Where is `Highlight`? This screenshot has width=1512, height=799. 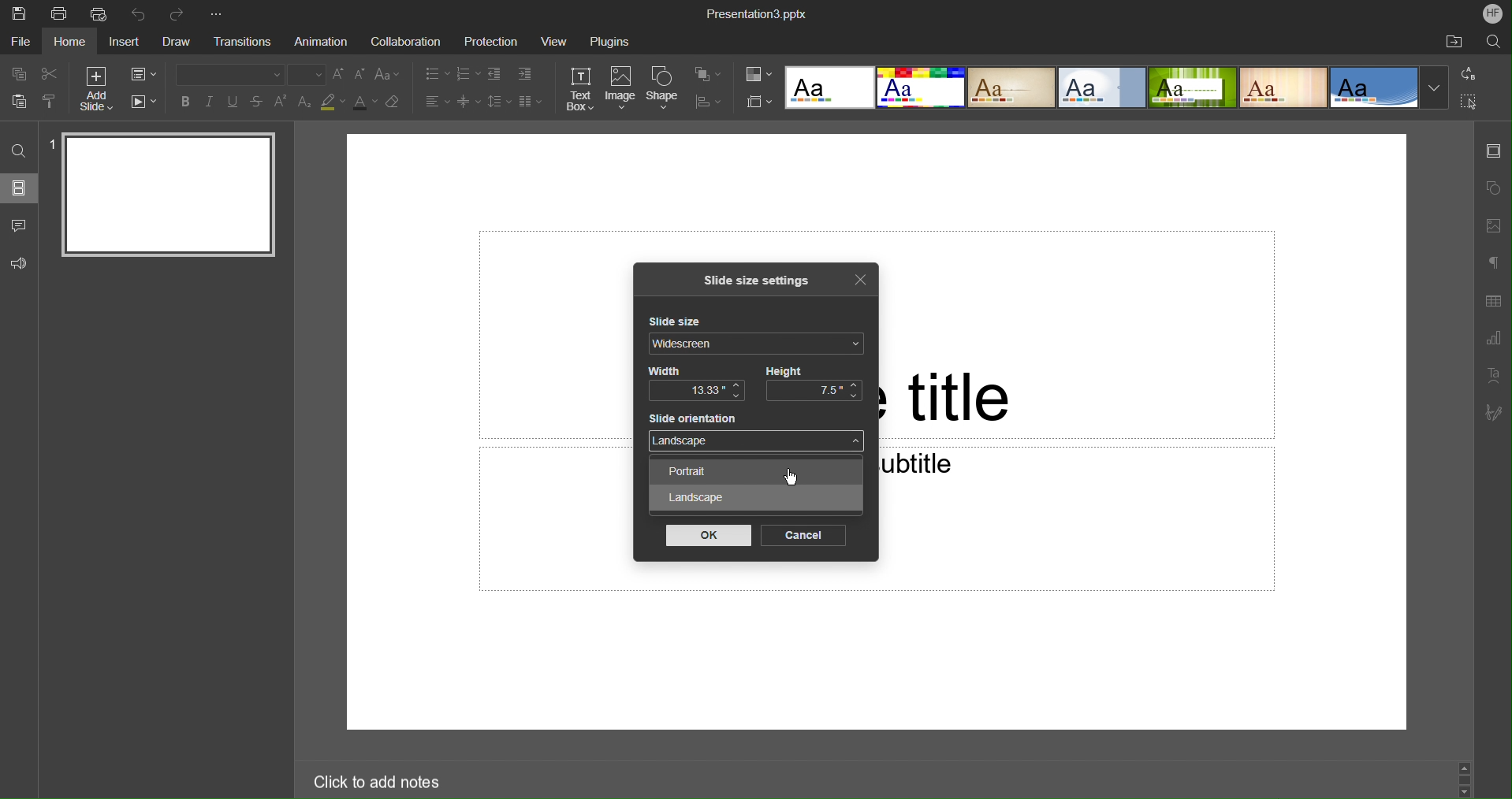 Highlight is located at coordinates (333, 103).